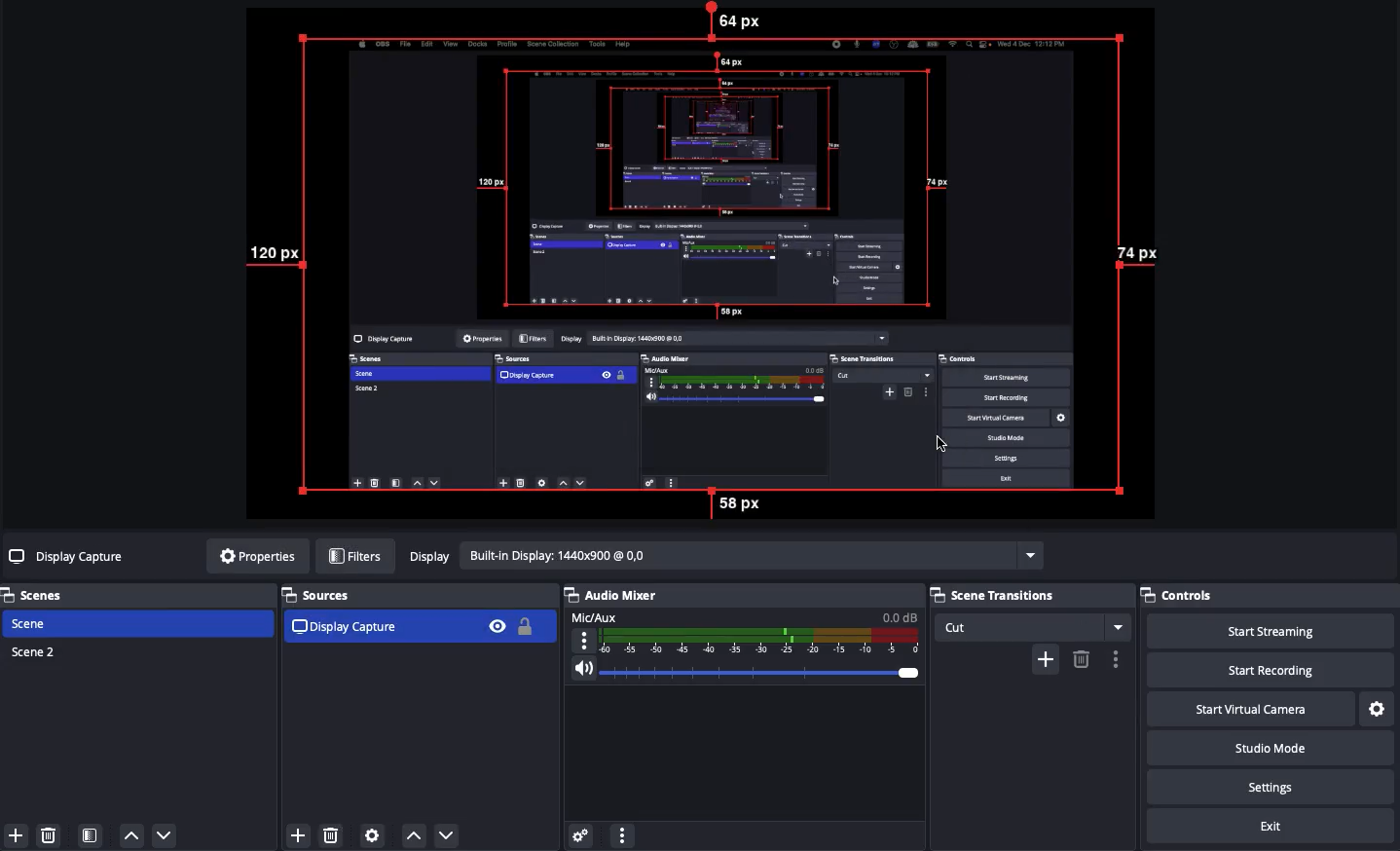 This screenshot has width=1400, height=851. I want to click on Scene 1, so click(42, 623).